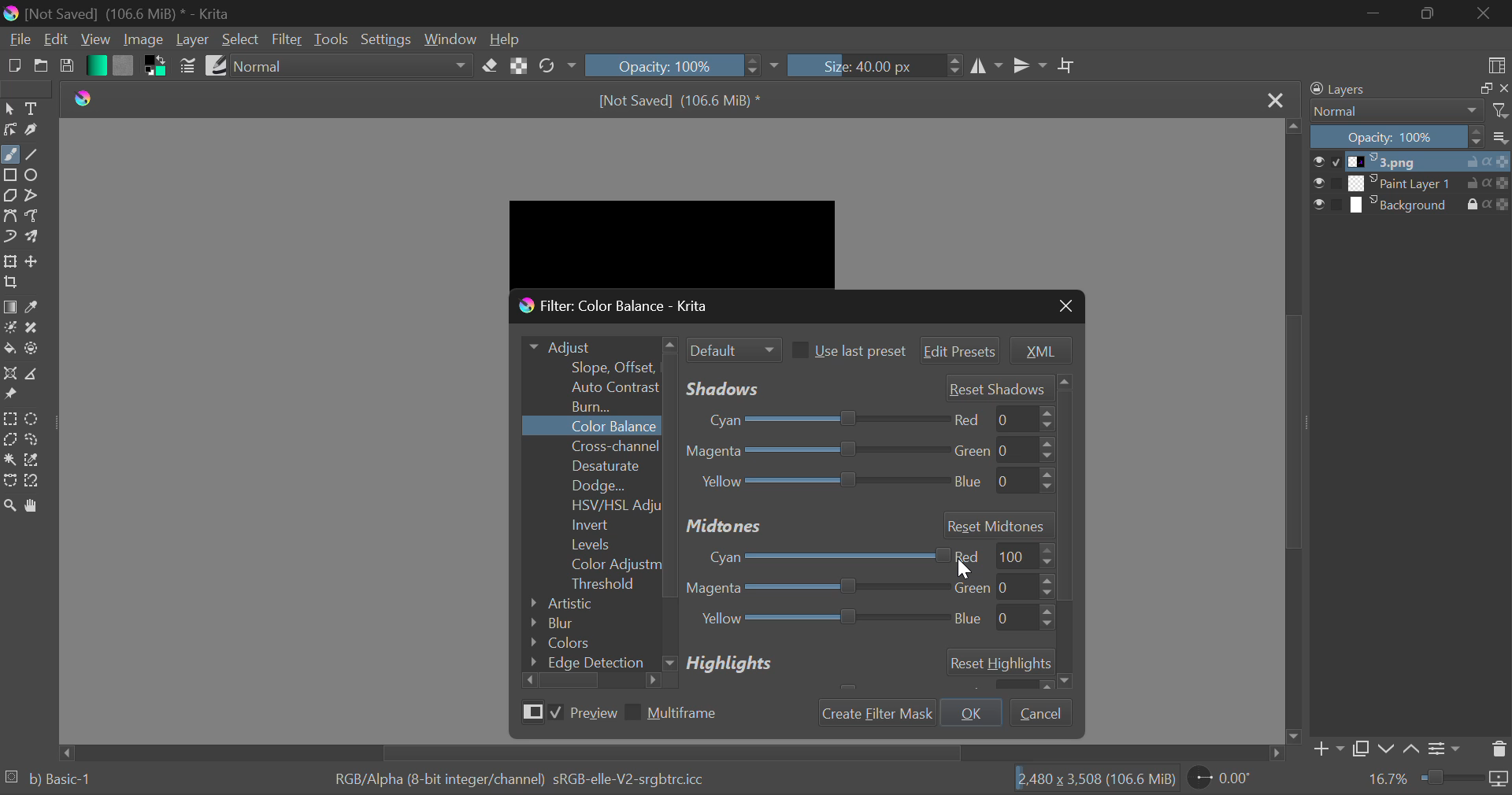 This screenshot has width=1512, height=795. I want to click on options, so click(1499, 136).